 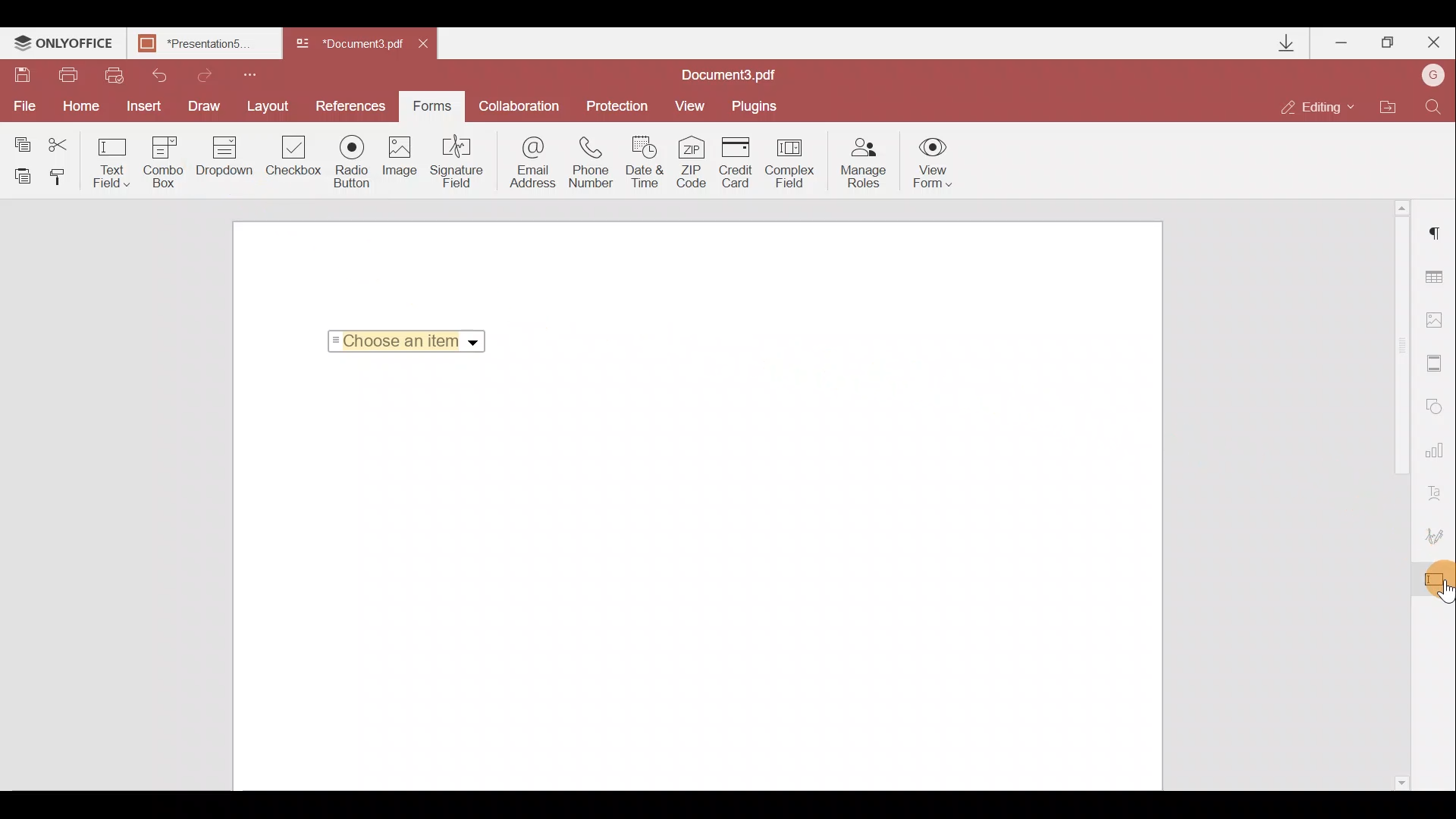 I want to click on Manage roles, so click(x=864, y=163).